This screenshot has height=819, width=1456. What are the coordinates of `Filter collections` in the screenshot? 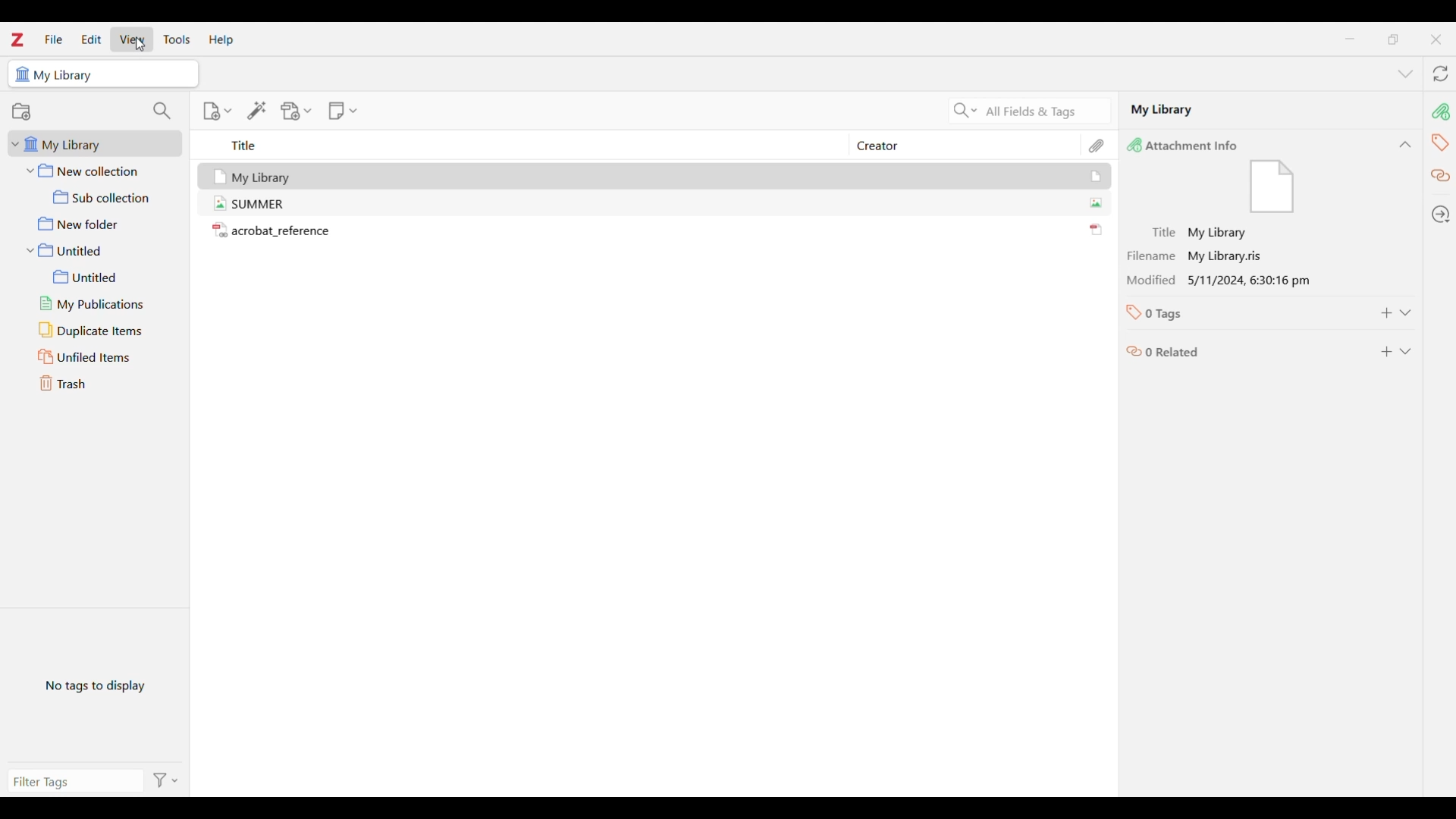 It's located at (162, 111).